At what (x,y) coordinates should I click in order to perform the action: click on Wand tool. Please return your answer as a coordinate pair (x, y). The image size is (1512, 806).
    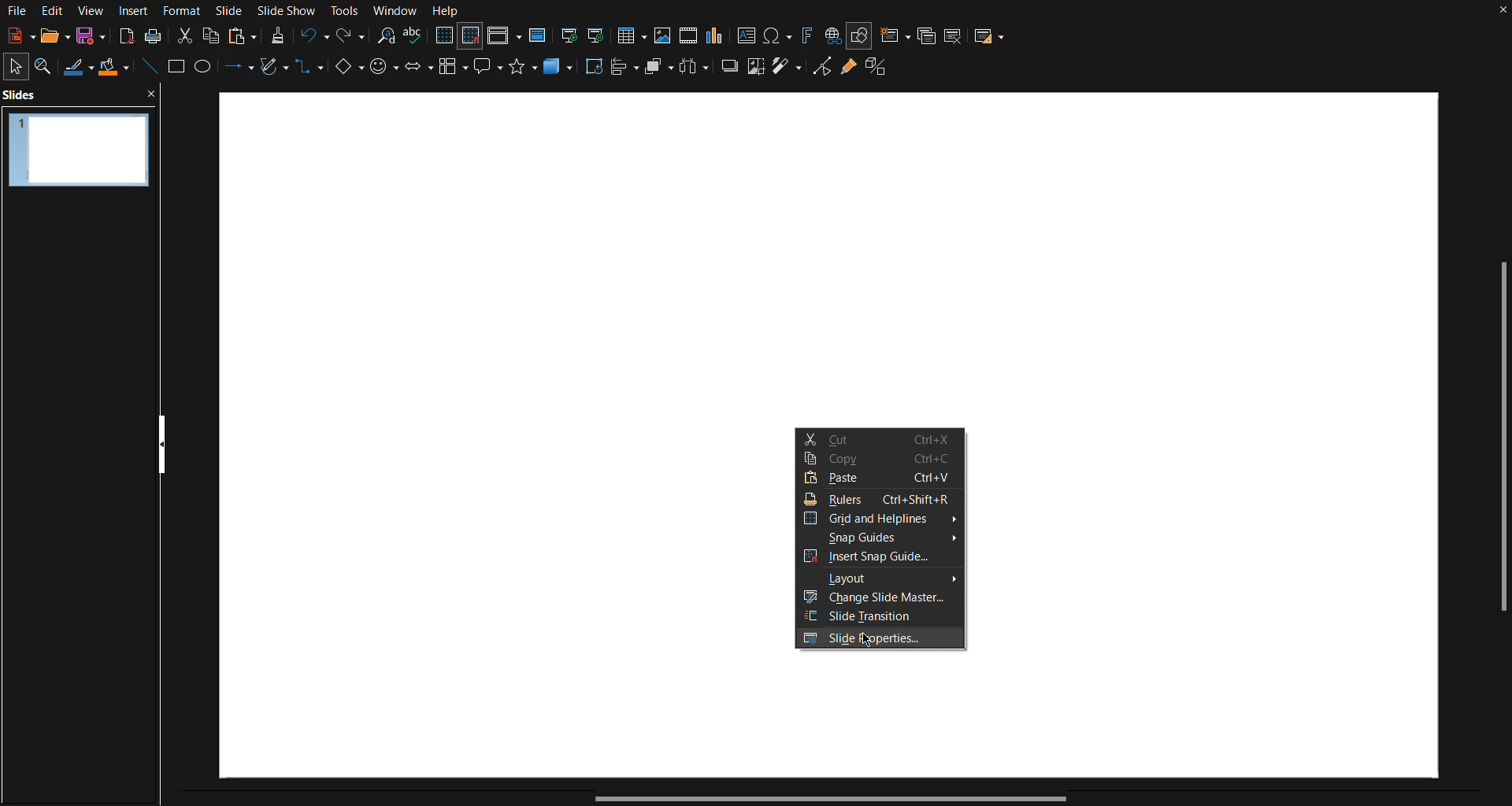
    Looking at the image, I should click on (787, 72).